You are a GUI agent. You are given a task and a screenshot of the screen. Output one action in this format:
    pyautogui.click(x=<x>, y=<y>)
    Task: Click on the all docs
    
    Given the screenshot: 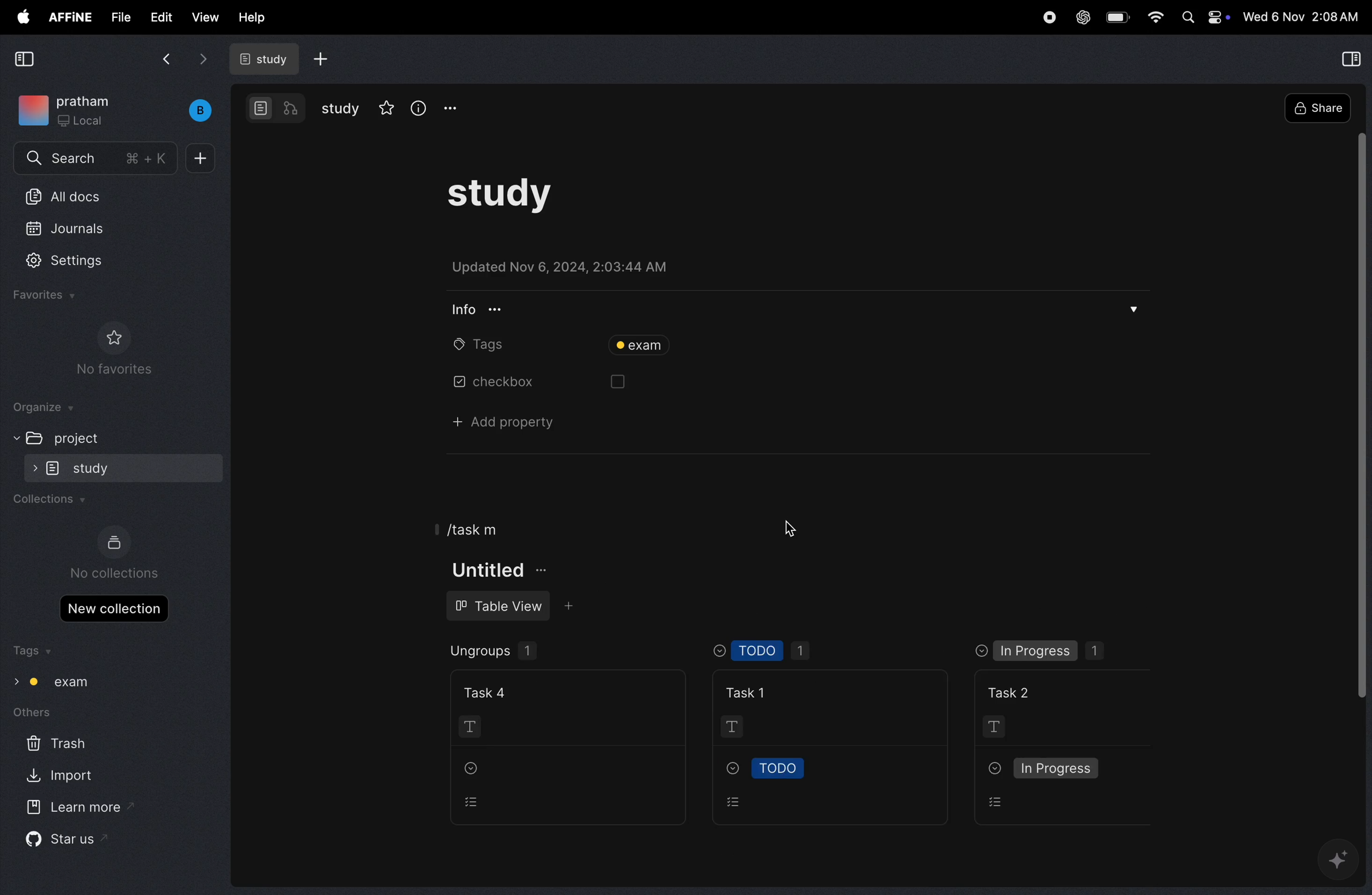 What is the action you would take?
    pyautogui.click(x=81, y=196)
    